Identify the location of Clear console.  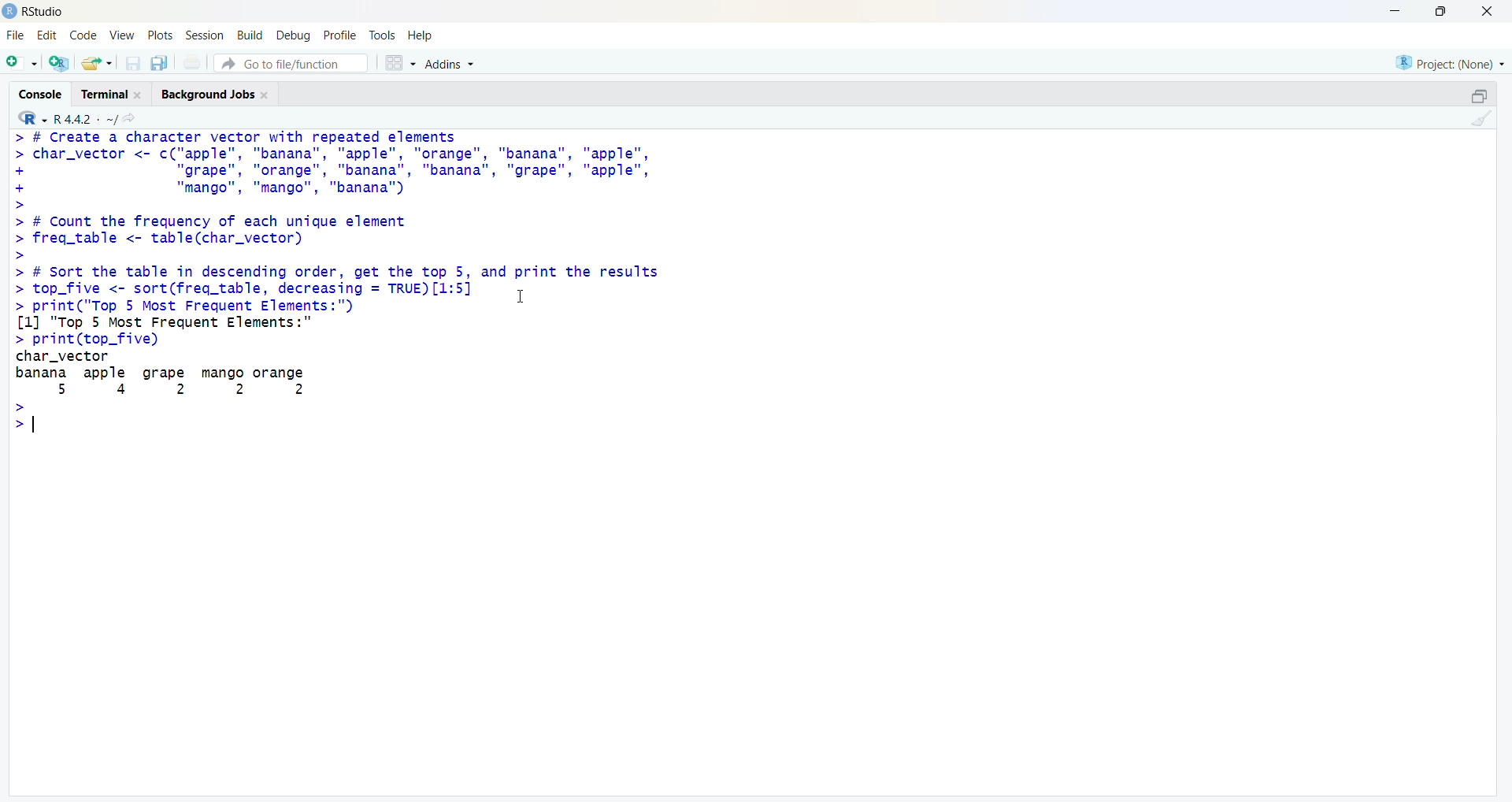
(1480, 120).